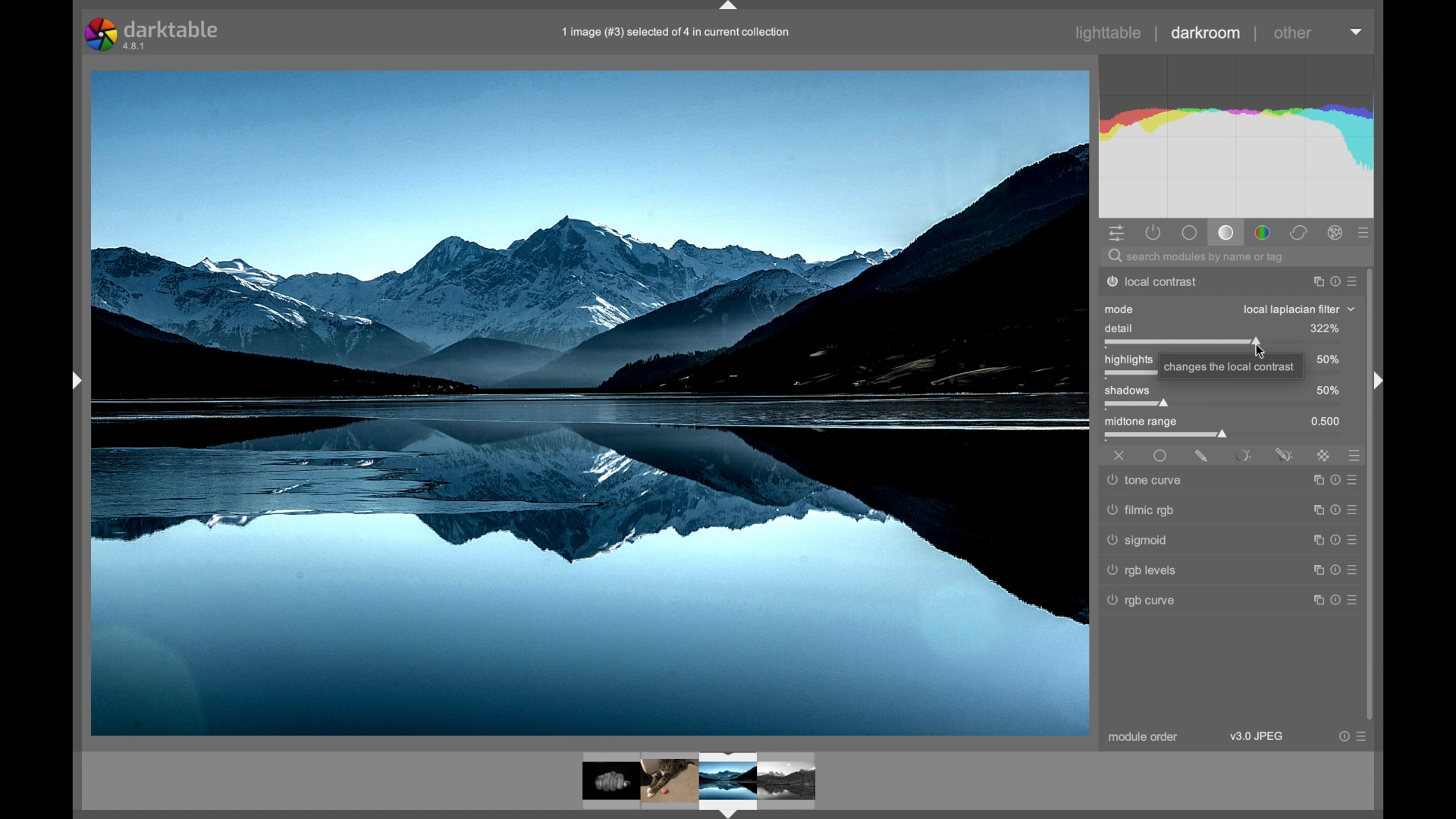 The image size is (1456, 819). What do you see at coordinates (1335, 233) in the screenshot?
I see `effect` at bounding box center [1335, 233].